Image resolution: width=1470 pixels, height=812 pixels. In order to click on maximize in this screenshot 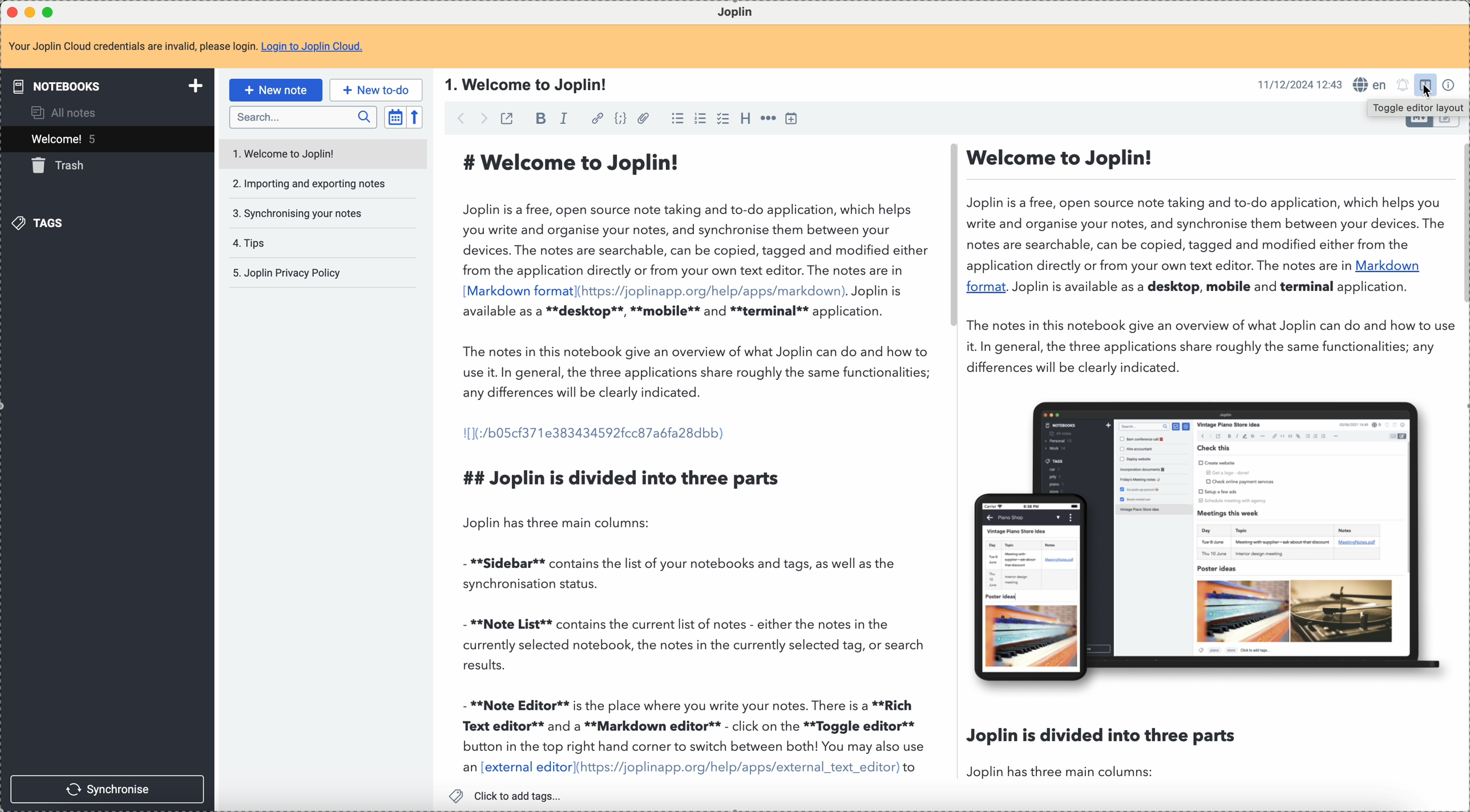, I will do `click(50, 13)`.